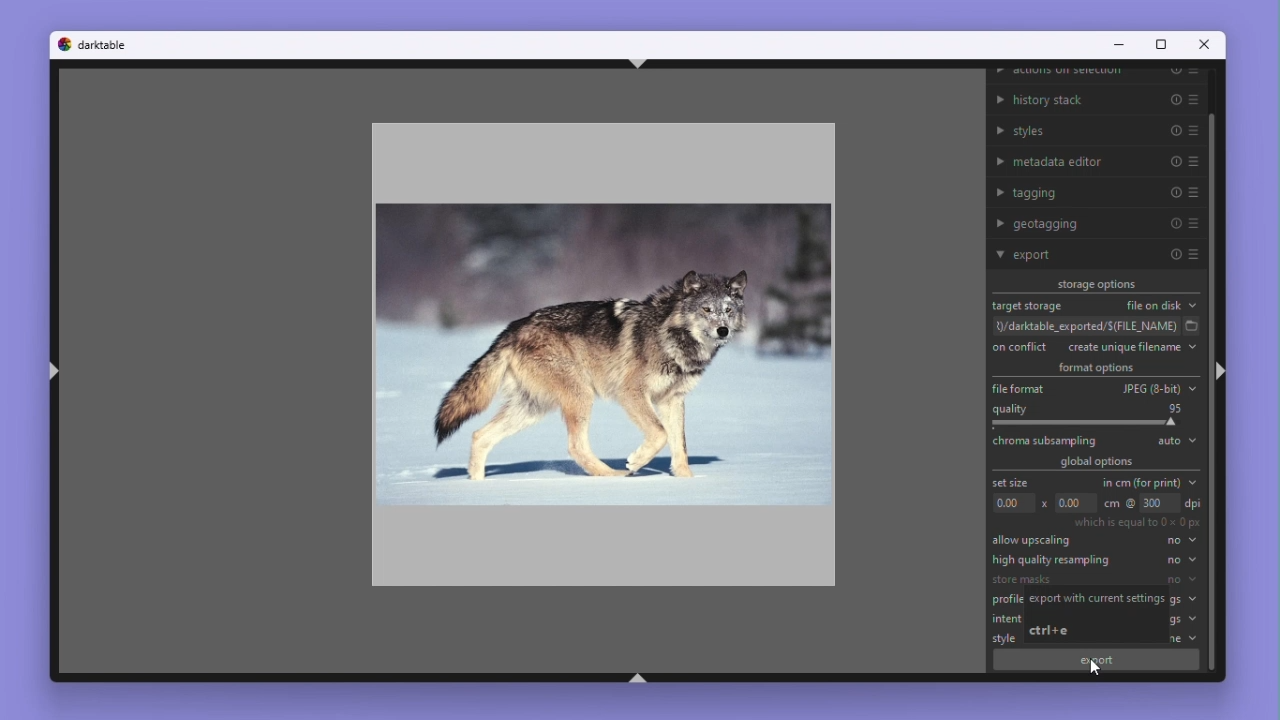 This screenshot has width=1280, height=720. What do you see at coordinates (1193, 504) in the screenshot?
I see `dpi` at bounding box center [1193, 504].